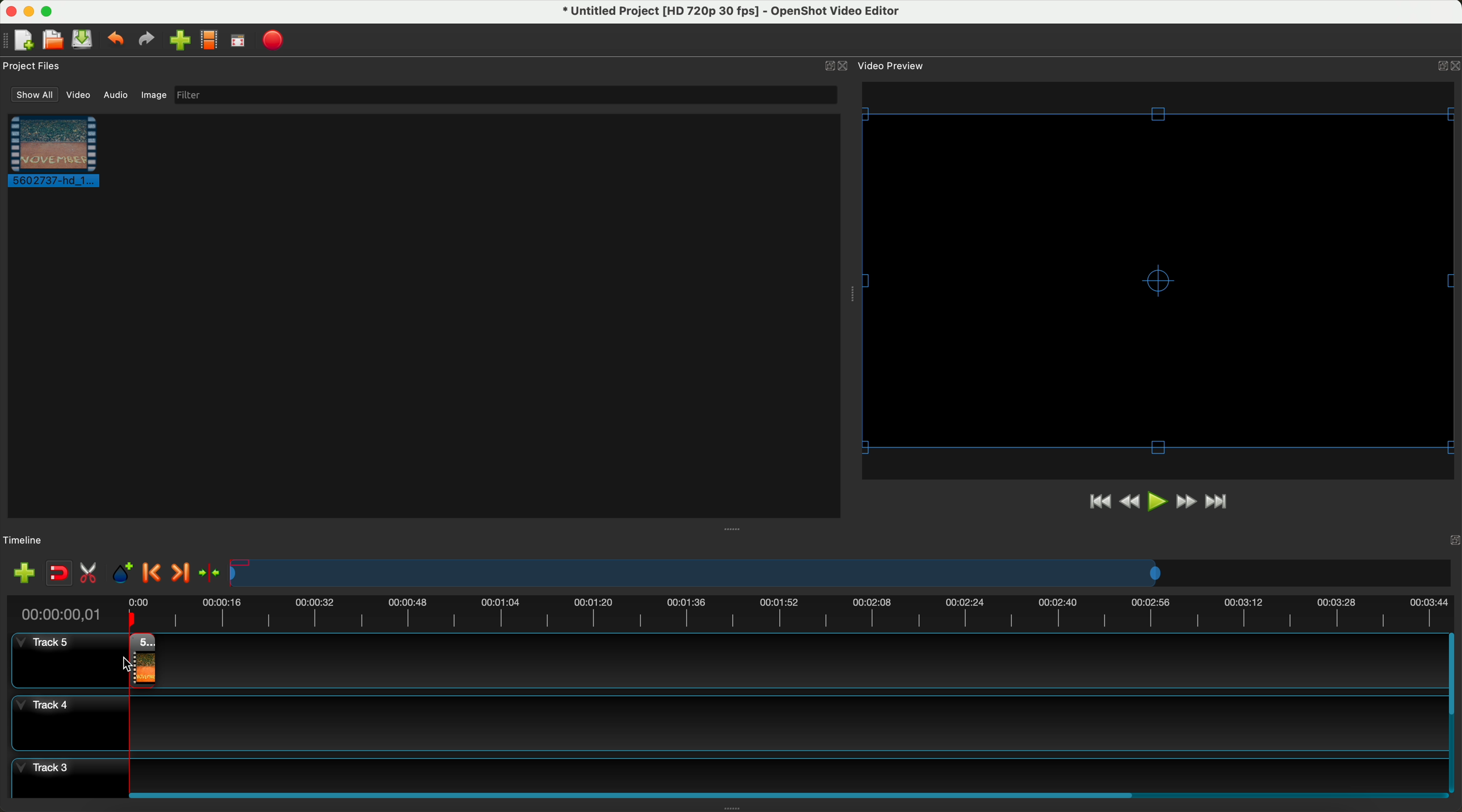 Image resolution: width=1462 pixels, height=812 pixels. I want to click on choose profile, so click(208, 40).